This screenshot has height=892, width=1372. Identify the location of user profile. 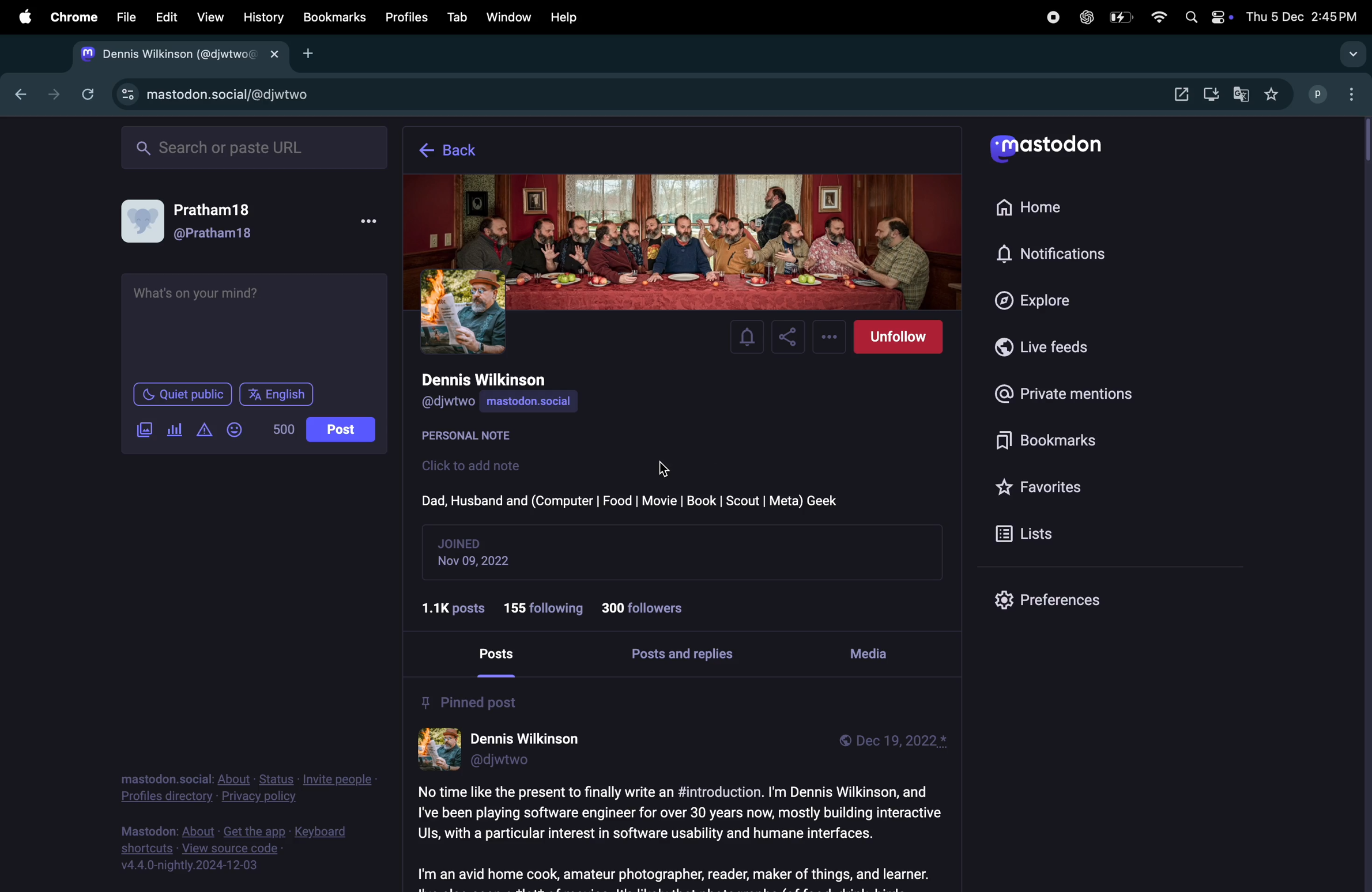
(510, 751).